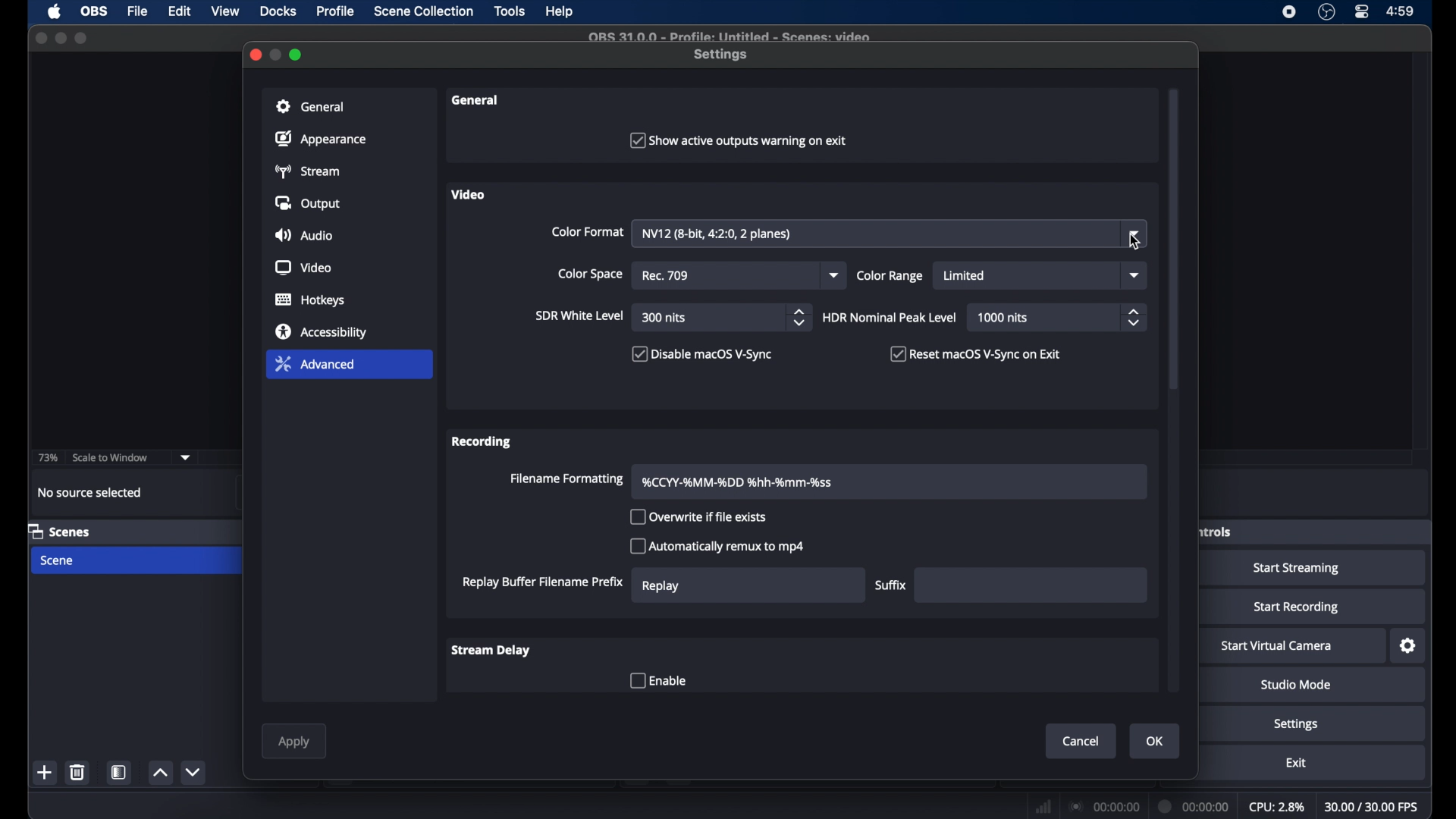 The height and width of the screenshot is (819, 1456). What do you see at coordinates (61, 38) in the screenshot?
I see `minimize` at bounding box center [61, 38].